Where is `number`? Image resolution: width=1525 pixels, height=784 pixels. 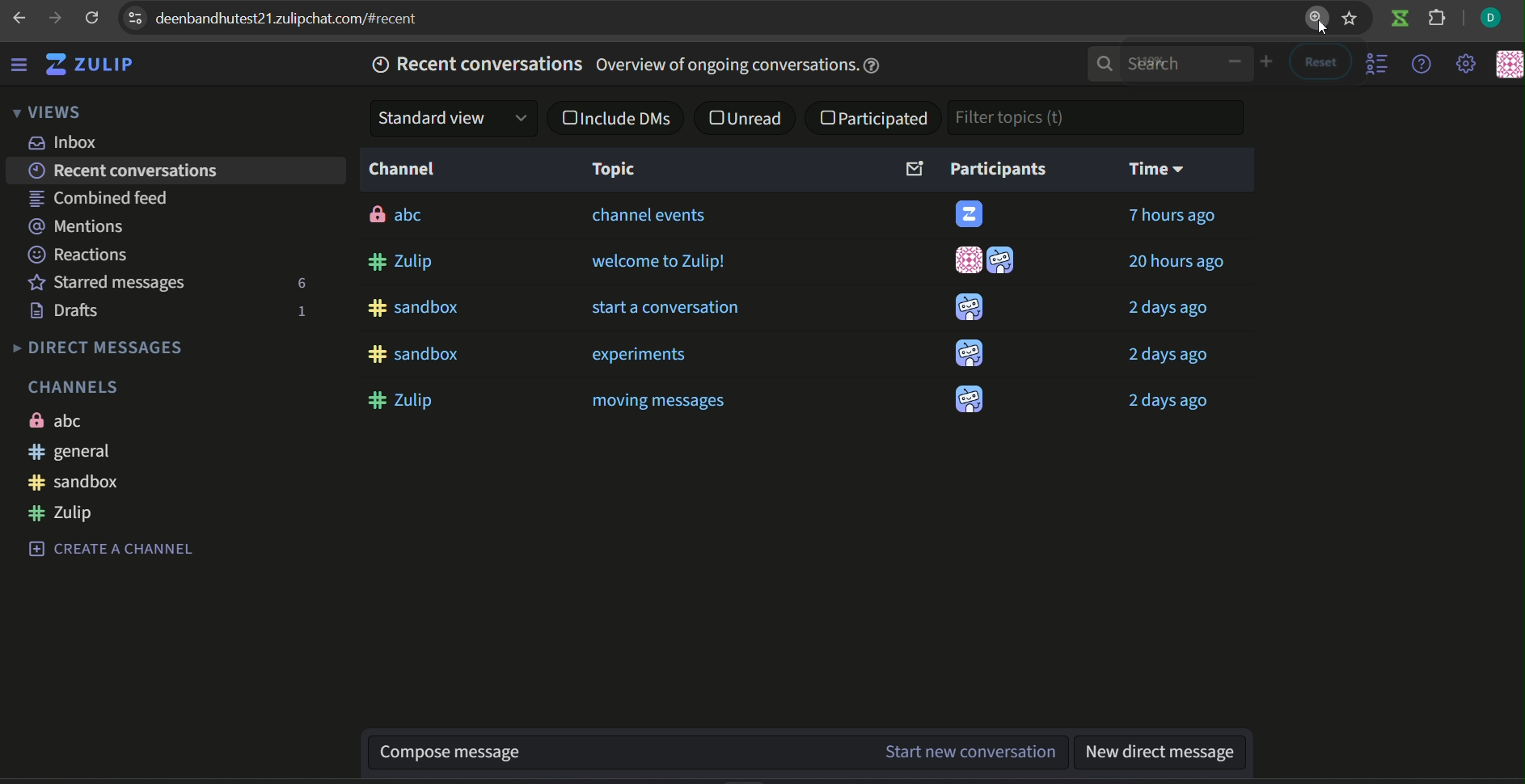 number is located at coordinates (298, 311).